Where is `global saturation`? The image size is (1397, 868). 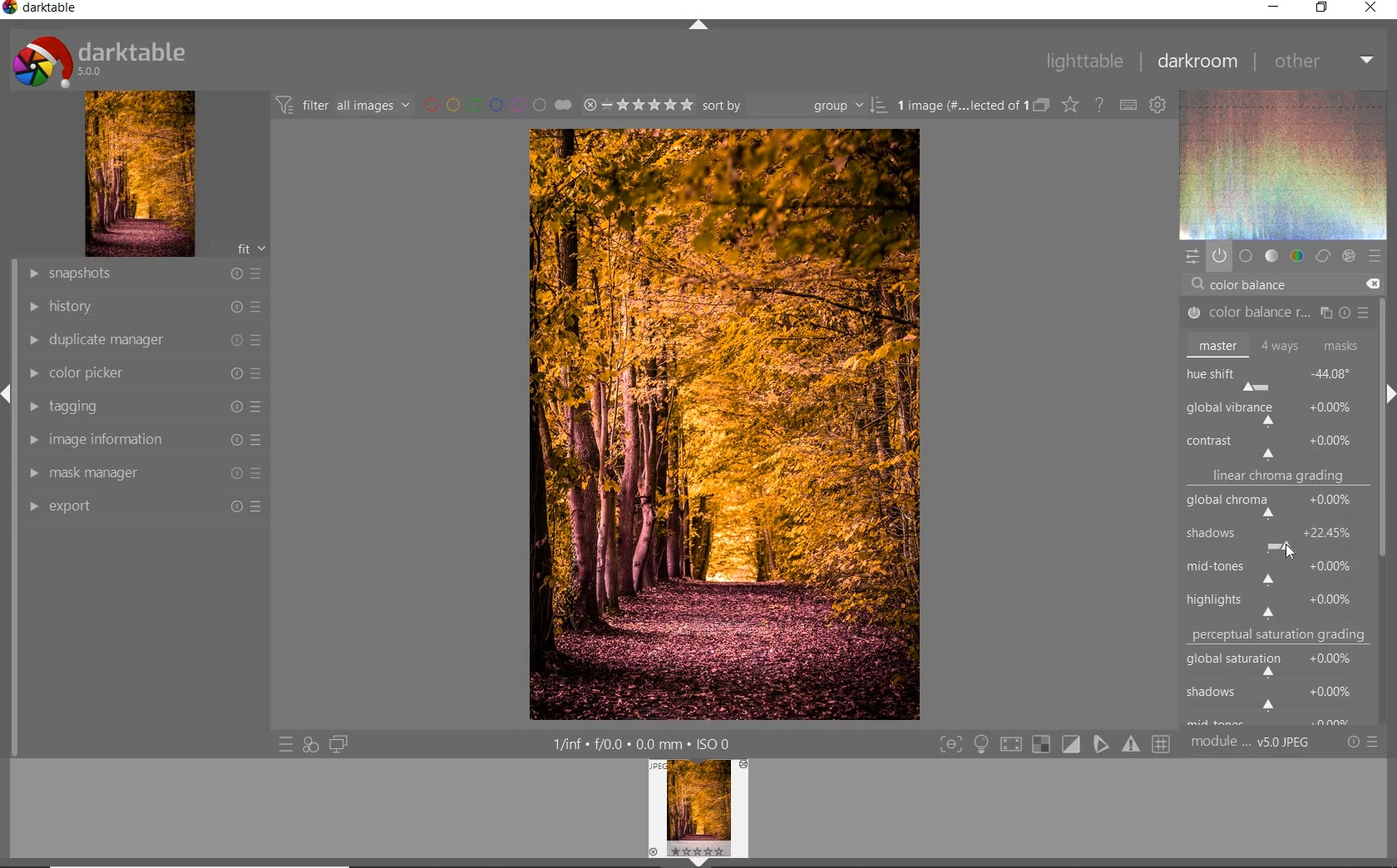 global saturation is located at coordinates (1278, 662).